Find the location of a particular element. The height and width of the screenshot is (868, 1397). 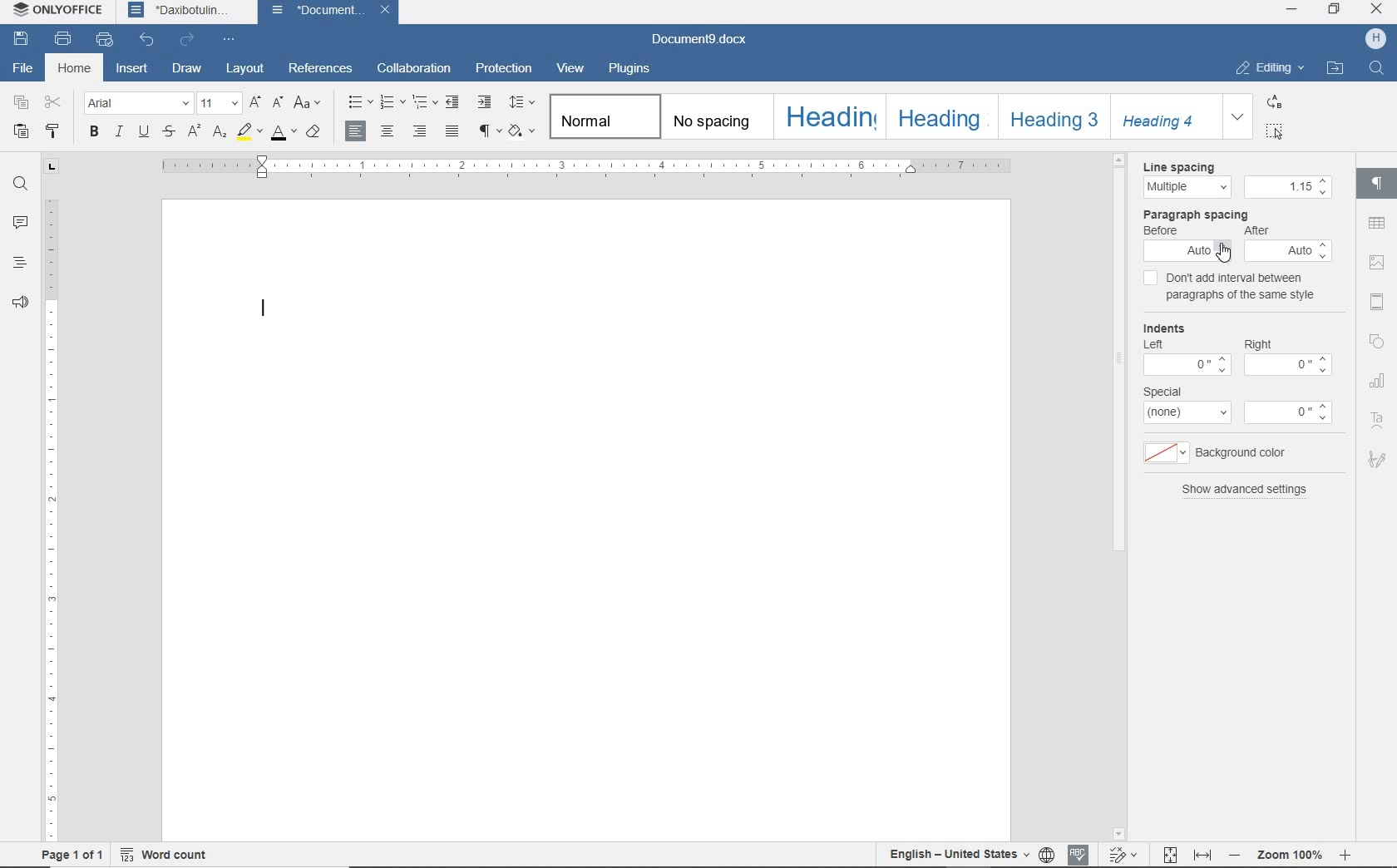

redo is located at coordinates (187, 41).